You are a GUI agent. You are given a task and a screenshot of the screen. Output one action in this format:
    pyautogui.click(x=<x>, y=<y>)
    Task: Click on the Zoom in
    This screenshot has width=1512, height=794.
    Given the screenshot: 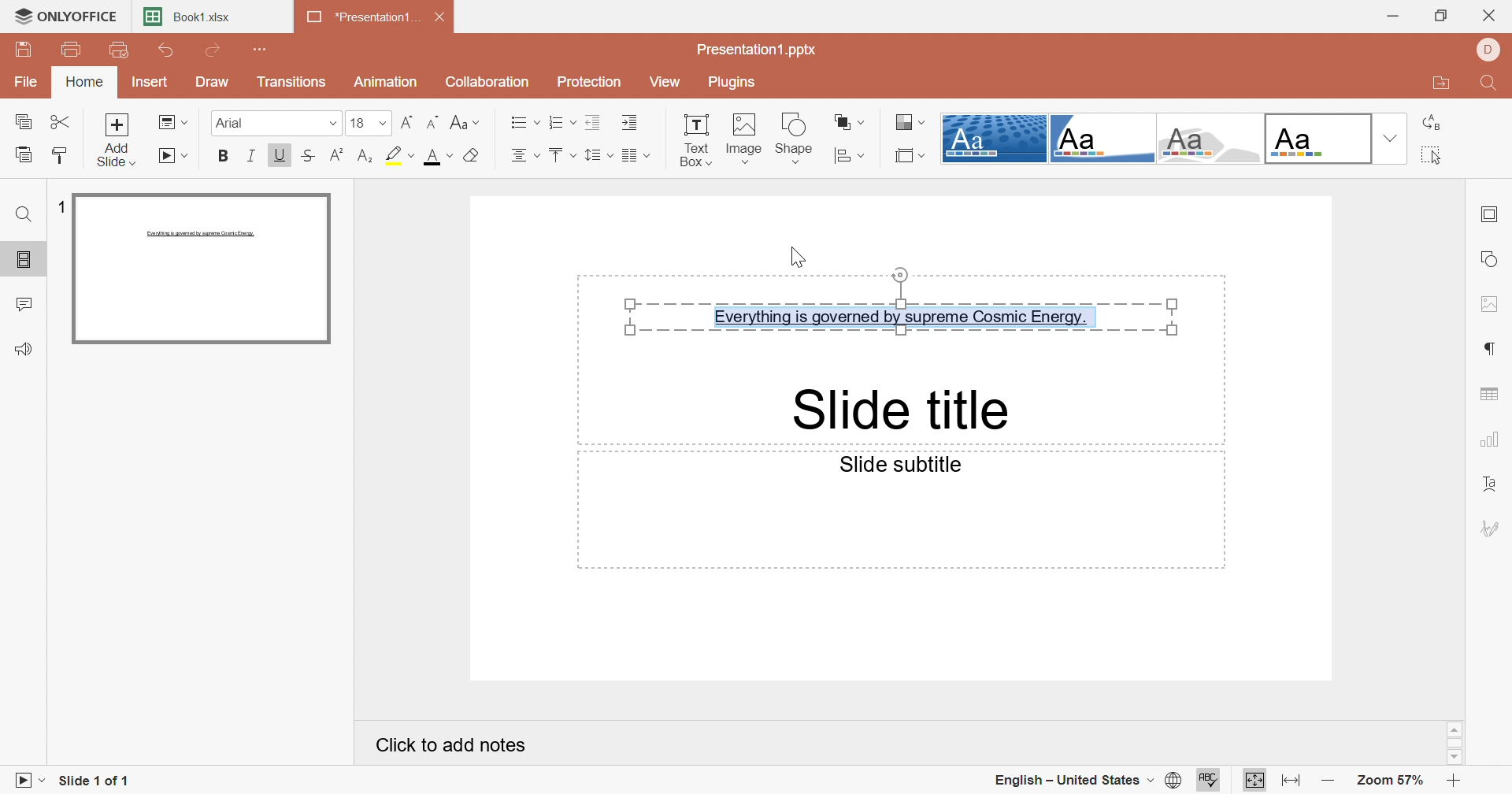 What is the action you would take?
    pyautogui.click(x=1456, y=781)
    